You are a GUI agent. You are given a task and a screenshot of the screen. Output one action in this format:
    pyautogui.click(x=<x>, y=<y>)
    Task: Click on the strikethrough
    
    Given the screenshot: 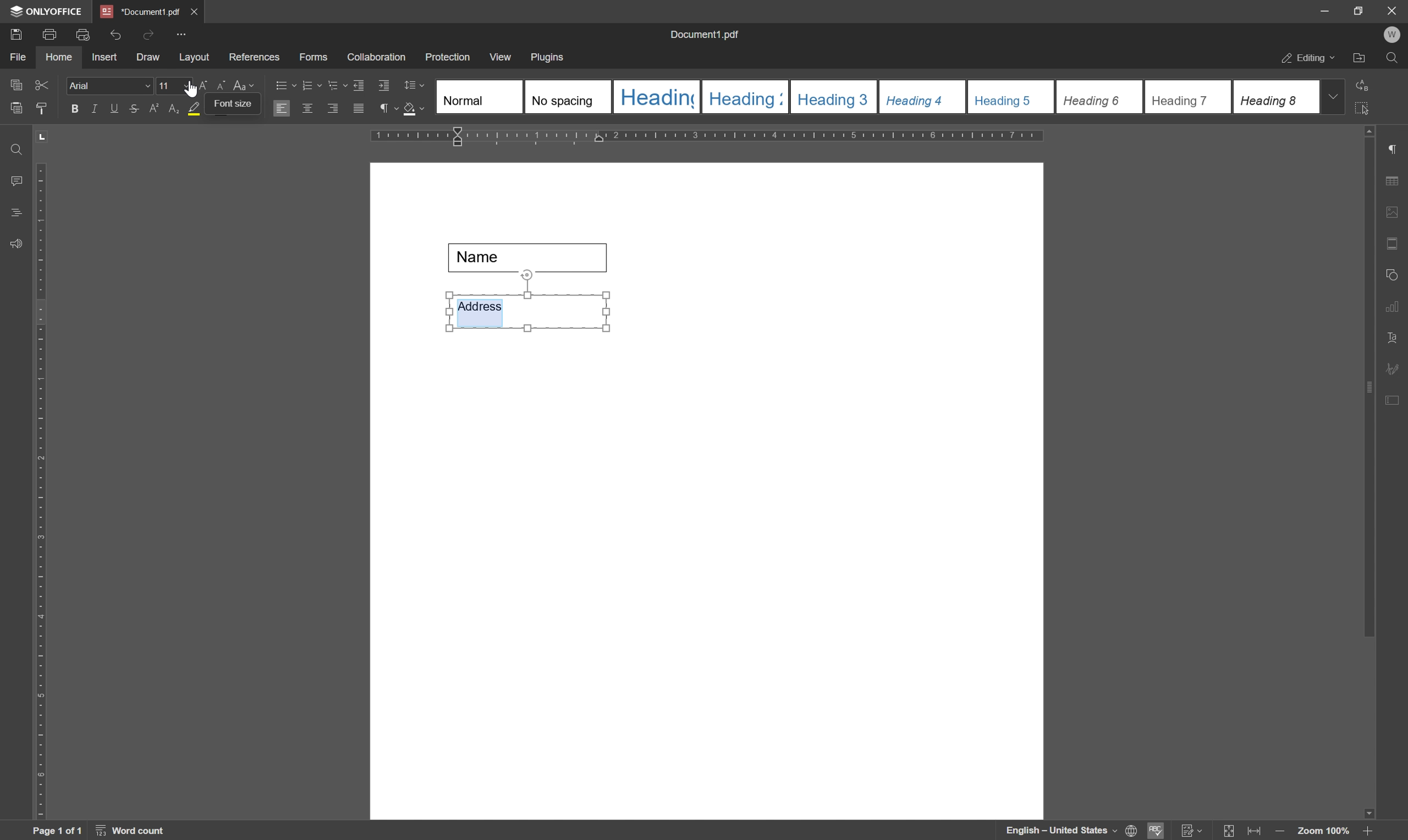 What is the action you would take?
    pyautogui.click(x=133, y=110)
    